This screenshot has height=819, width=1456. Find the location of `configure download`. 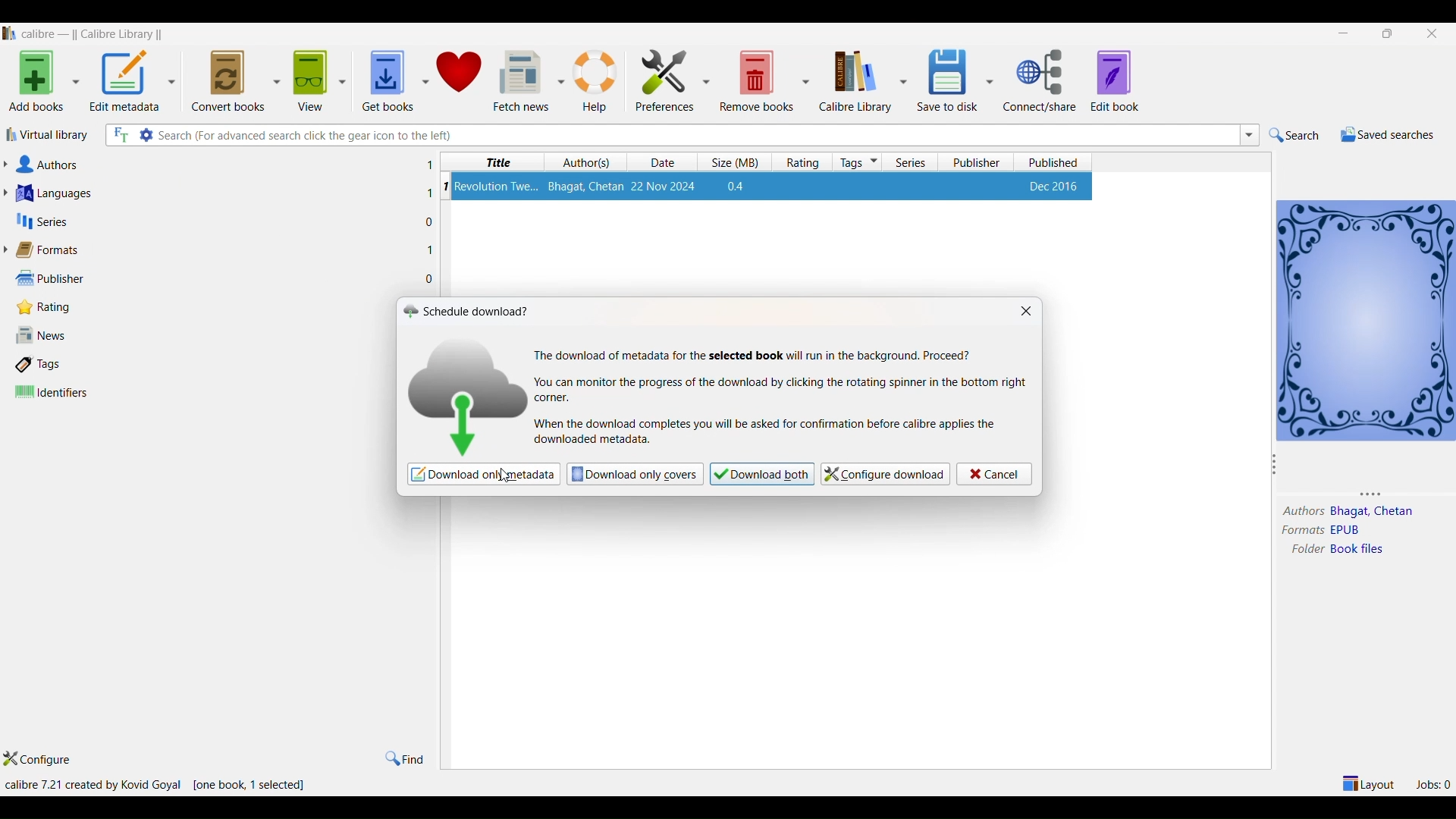

configure download is located at coordinates (885, 474).